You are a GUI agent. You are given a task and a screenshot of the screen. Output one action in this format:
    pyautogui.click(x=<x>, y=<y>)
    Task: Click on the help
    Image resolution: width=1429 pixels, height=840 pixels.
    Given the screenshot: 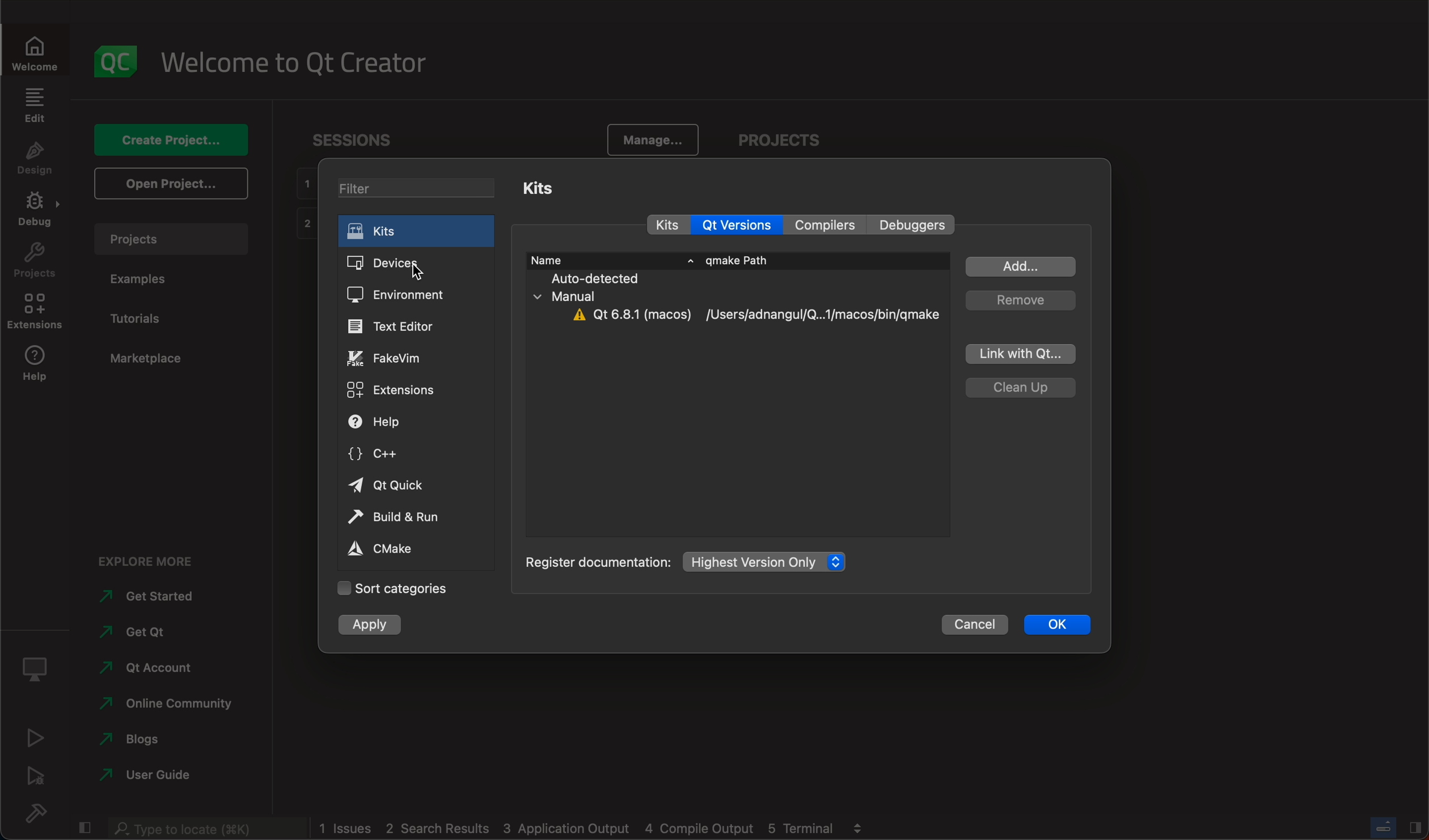 What is the action you would take?
    pyautogui.click(x=406, y=422)
    